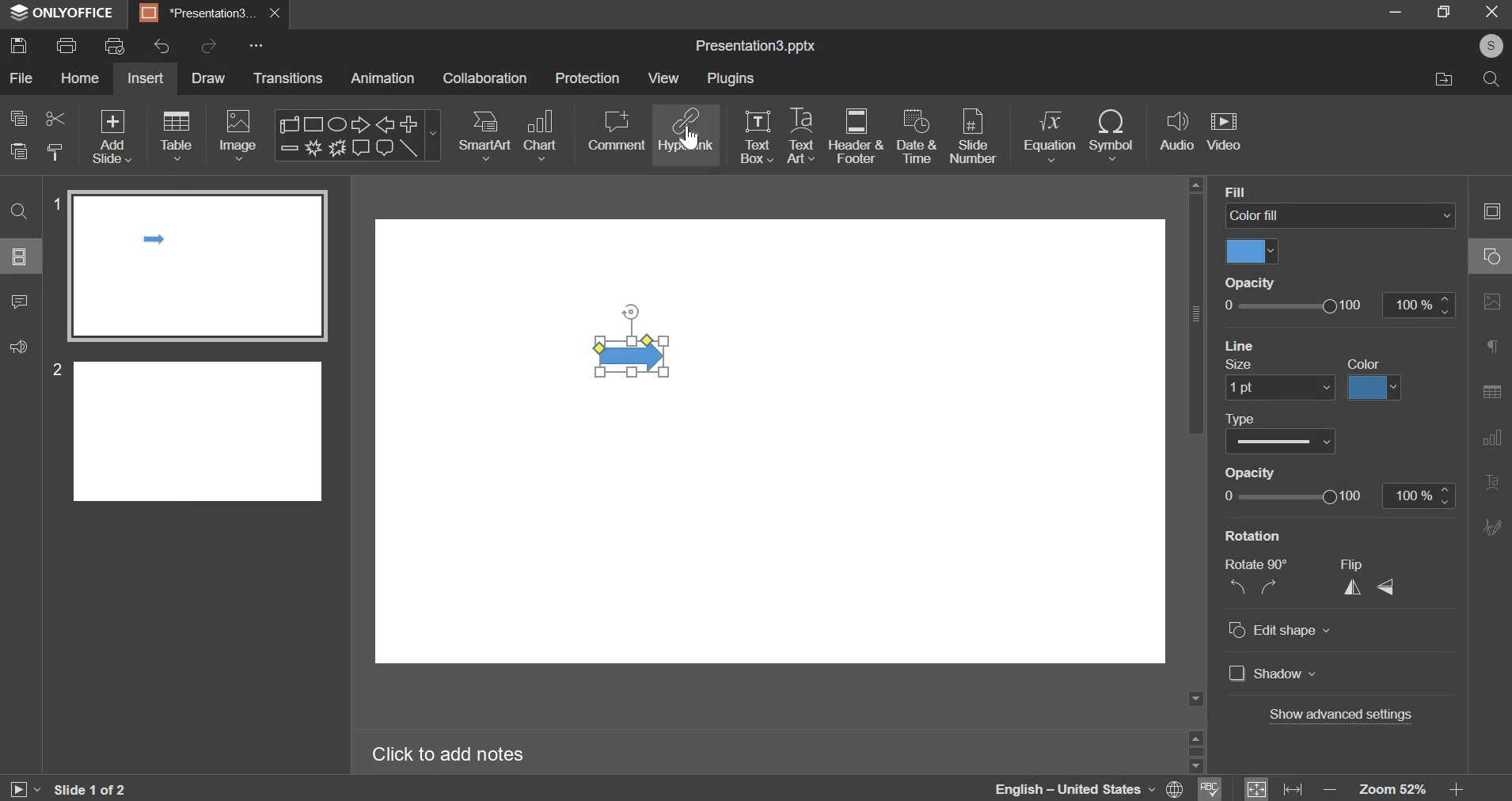  What do you see at coordinates (1210, 788) in the screenshot?
I see `spelling` at bounding box center [1210, 788].